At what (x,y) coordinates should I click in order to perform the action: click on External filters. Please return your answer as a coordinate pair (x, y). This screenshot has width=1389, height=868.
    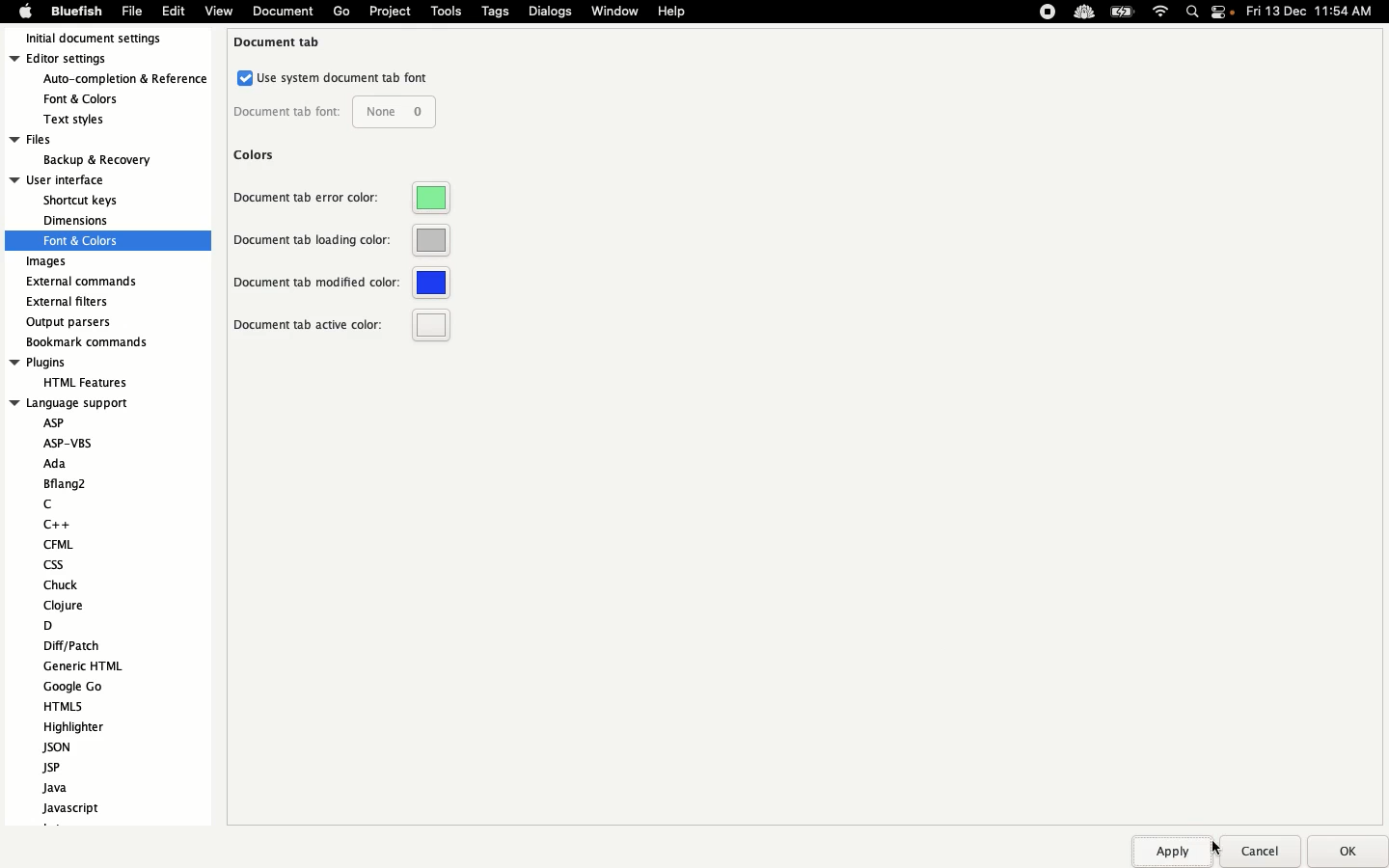
    Looking at the image, I should click on (70, 302).